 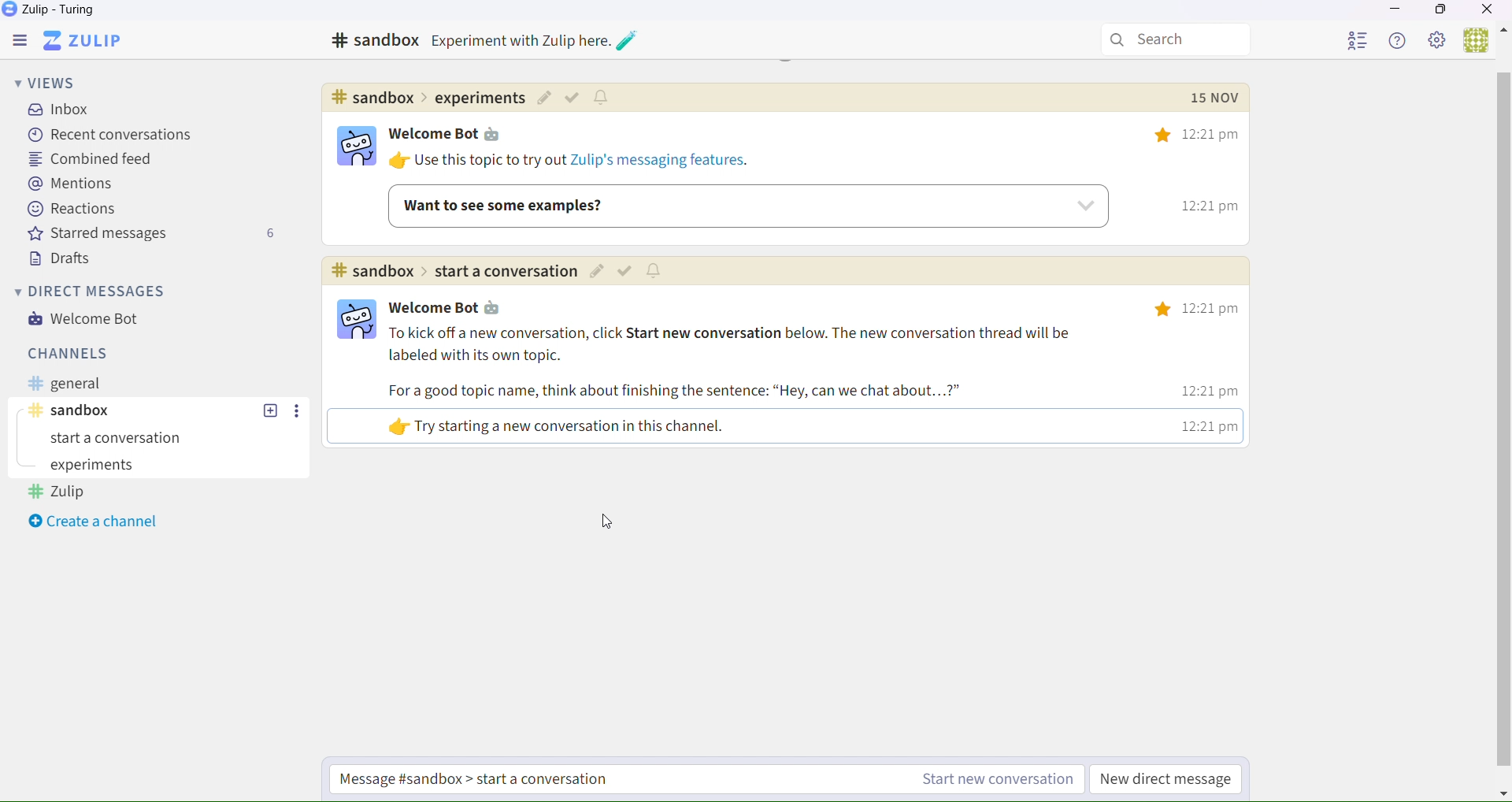 I want to click on Cursor, so click(x=610, y=524).